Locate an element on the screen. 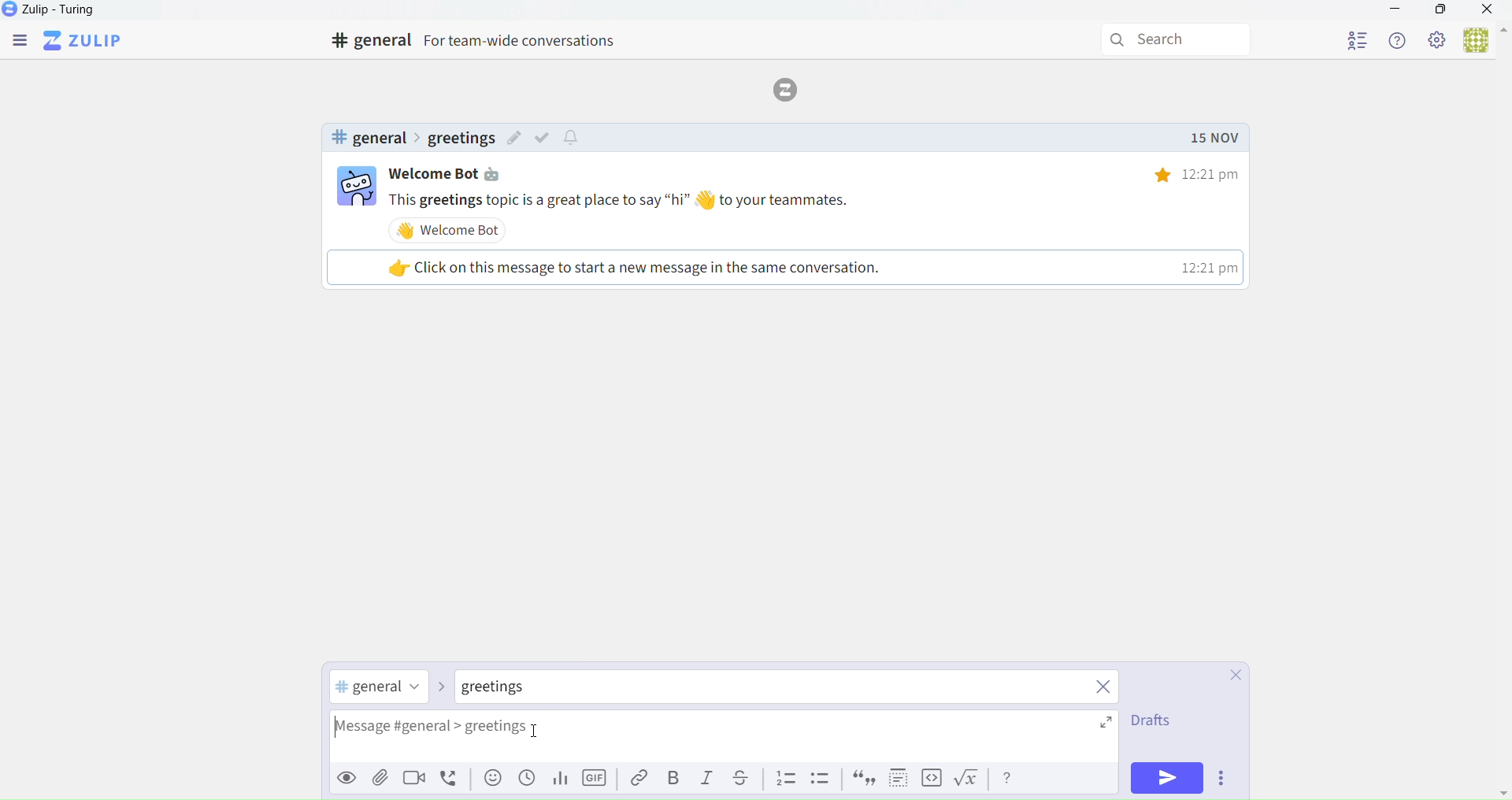  Logo is located at coordinates (791, 88).